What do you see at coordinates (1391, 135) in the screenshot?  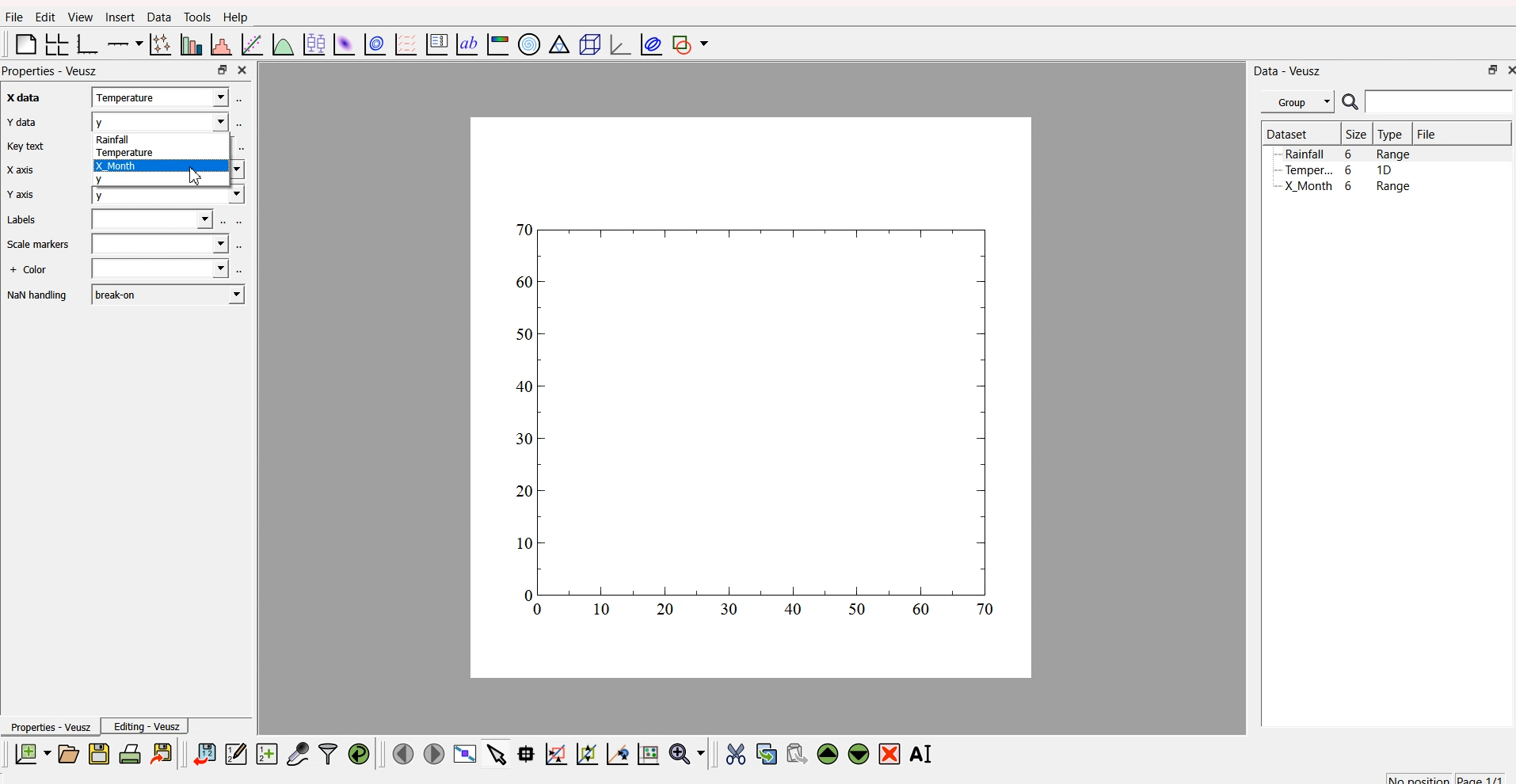 I see `Type` at bounding box center [1391, 135].